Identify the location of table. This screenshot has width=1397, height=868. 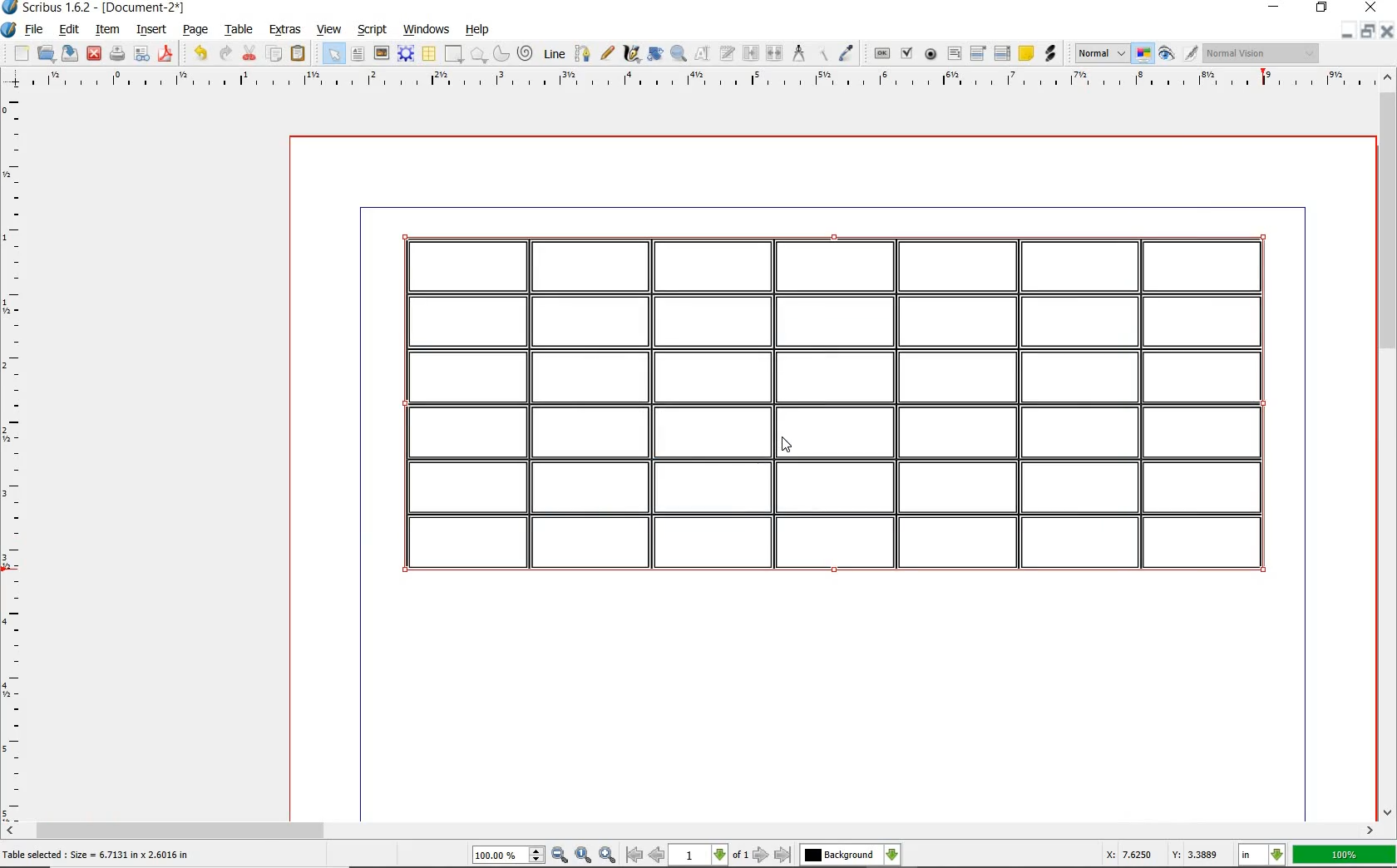
(430, 54).